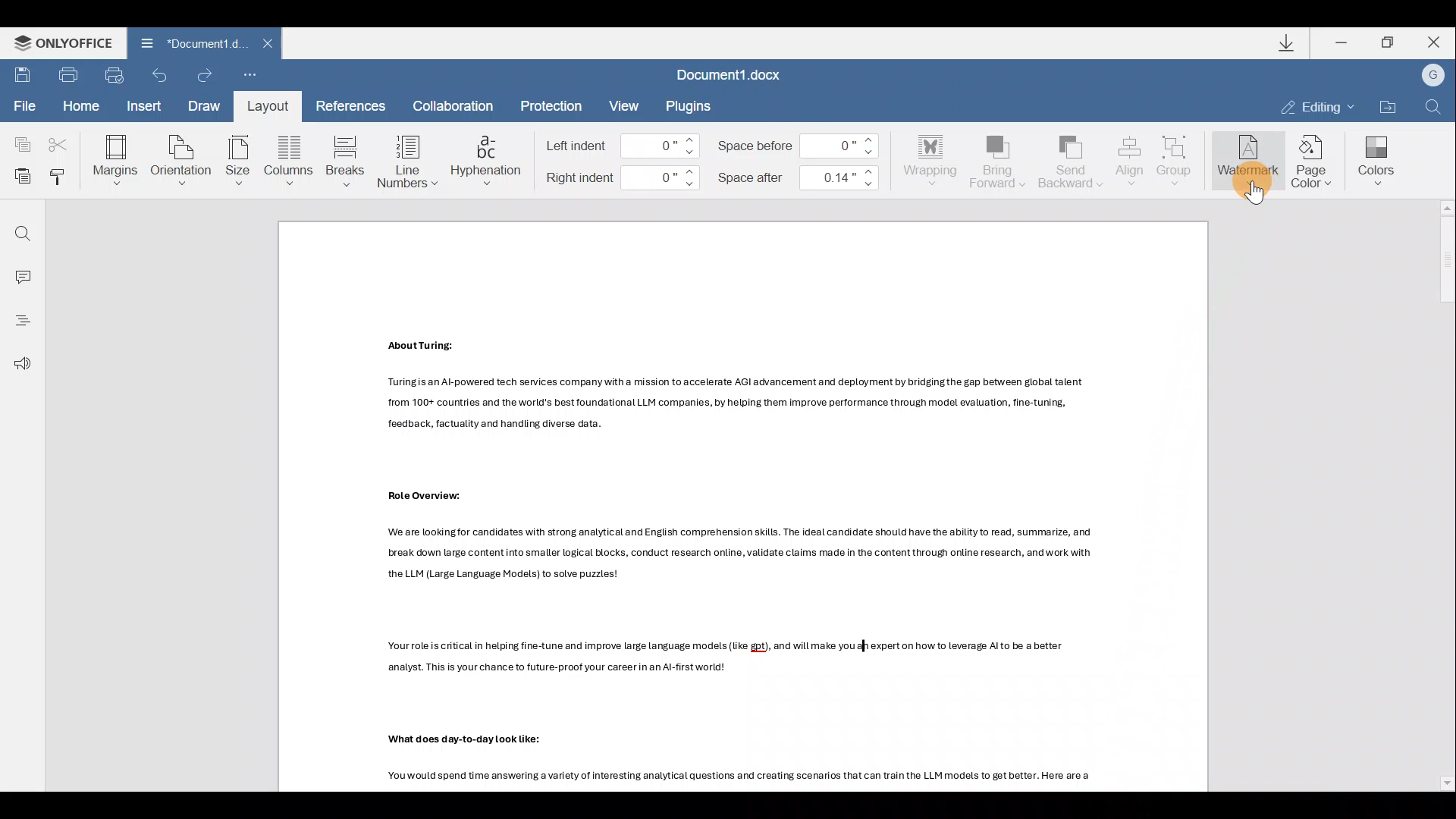 The width and height of the screenshot is (1456, 819). Describe the element at coordinates (1292, 45) in the screenshot. I see `Downloads` at that location.